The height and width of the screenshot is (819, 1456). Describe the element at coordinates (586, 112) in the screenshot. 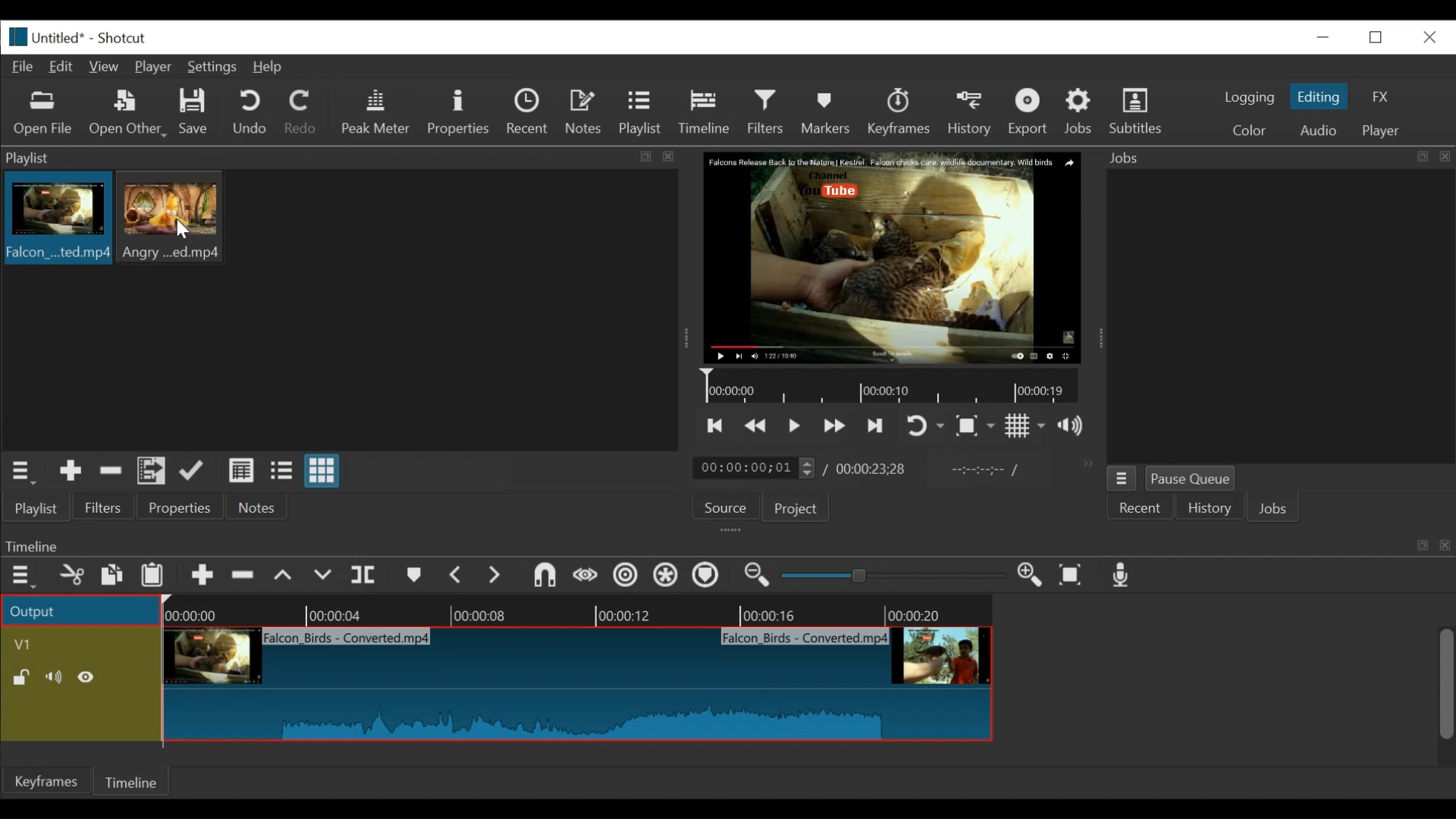

I see `Notes` at that location.